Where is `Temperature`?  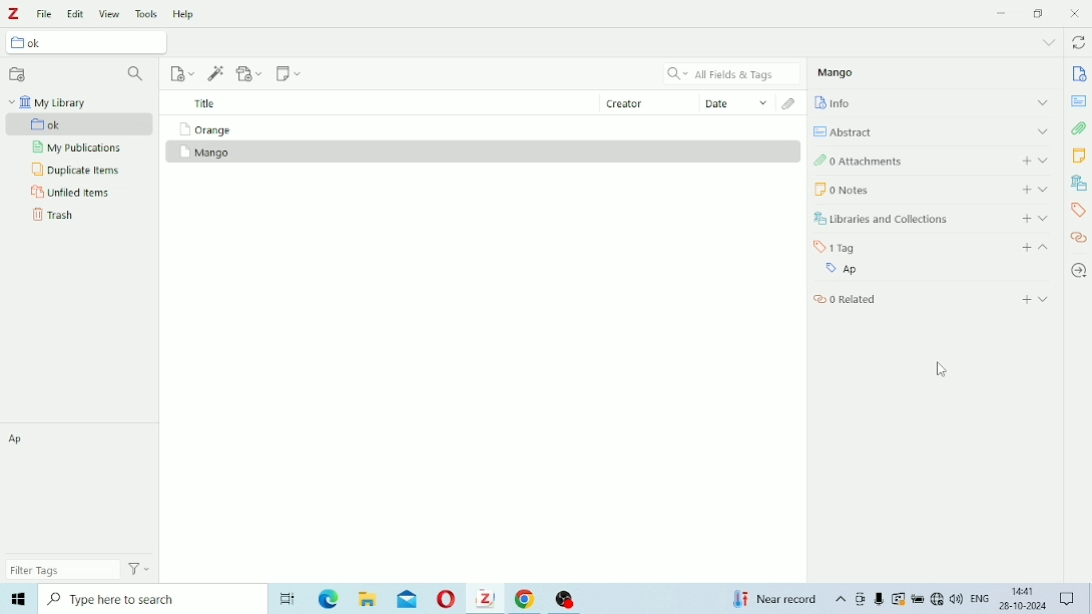 Temperature is located at coordinates (776, 599).